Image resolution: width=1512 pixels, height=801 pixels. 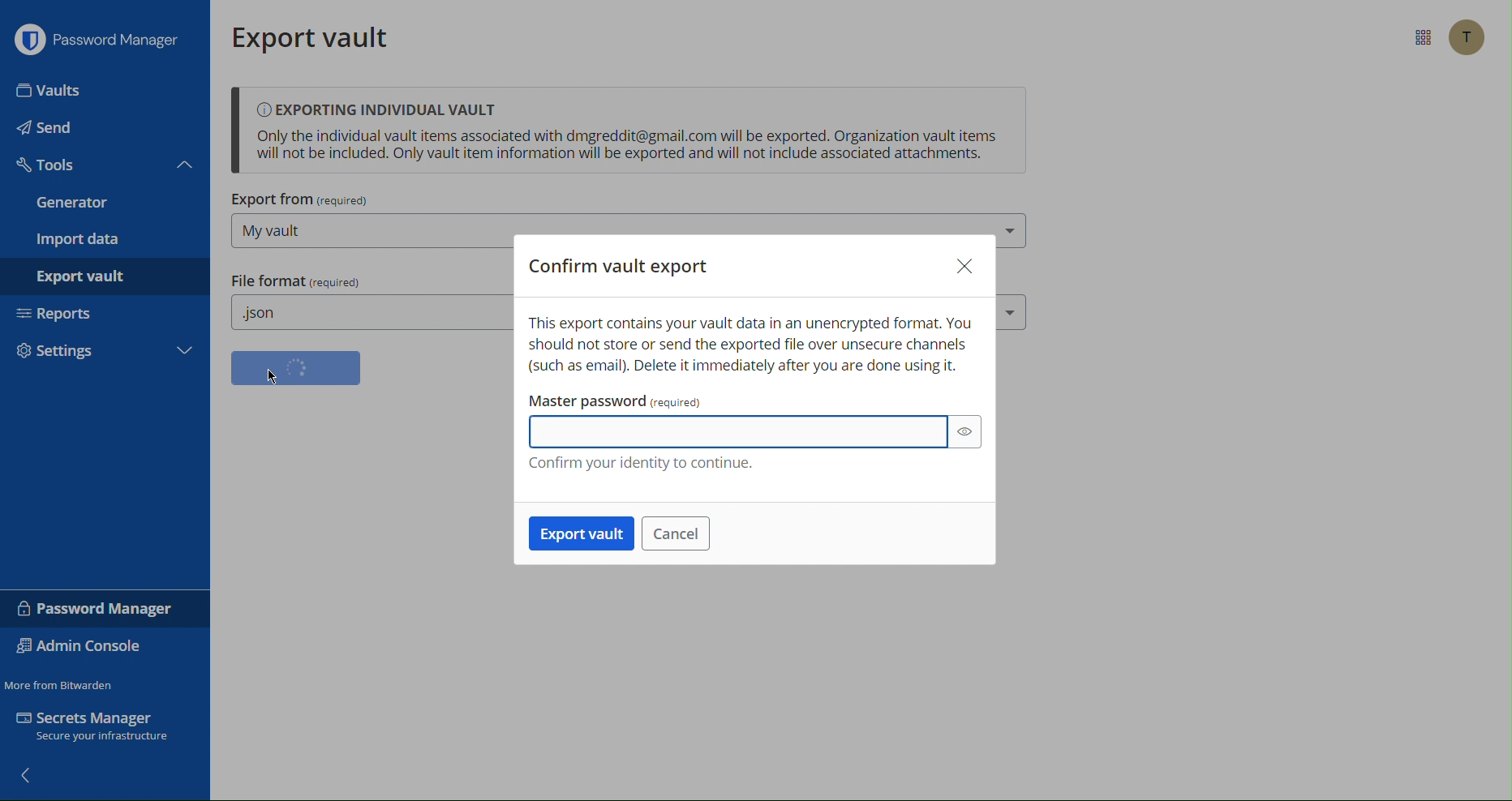 What do you see at coordinates (93, 608) in the screenshot?
I see `Password Manager` at bounding box center [93, 608].